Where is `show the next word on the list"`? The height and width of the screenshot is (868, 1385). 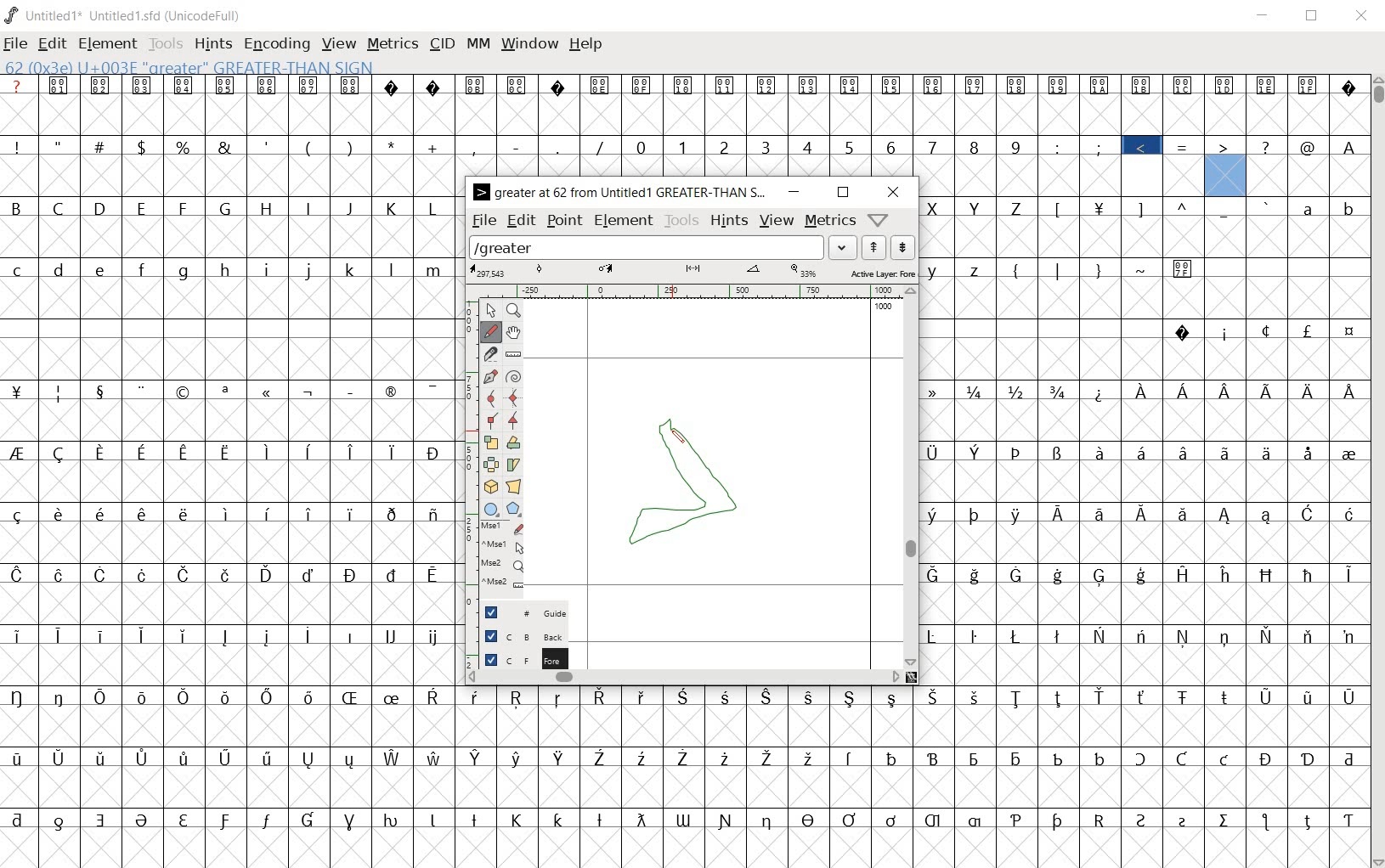 show the next word on the list" is located at coordinates (876, 247).